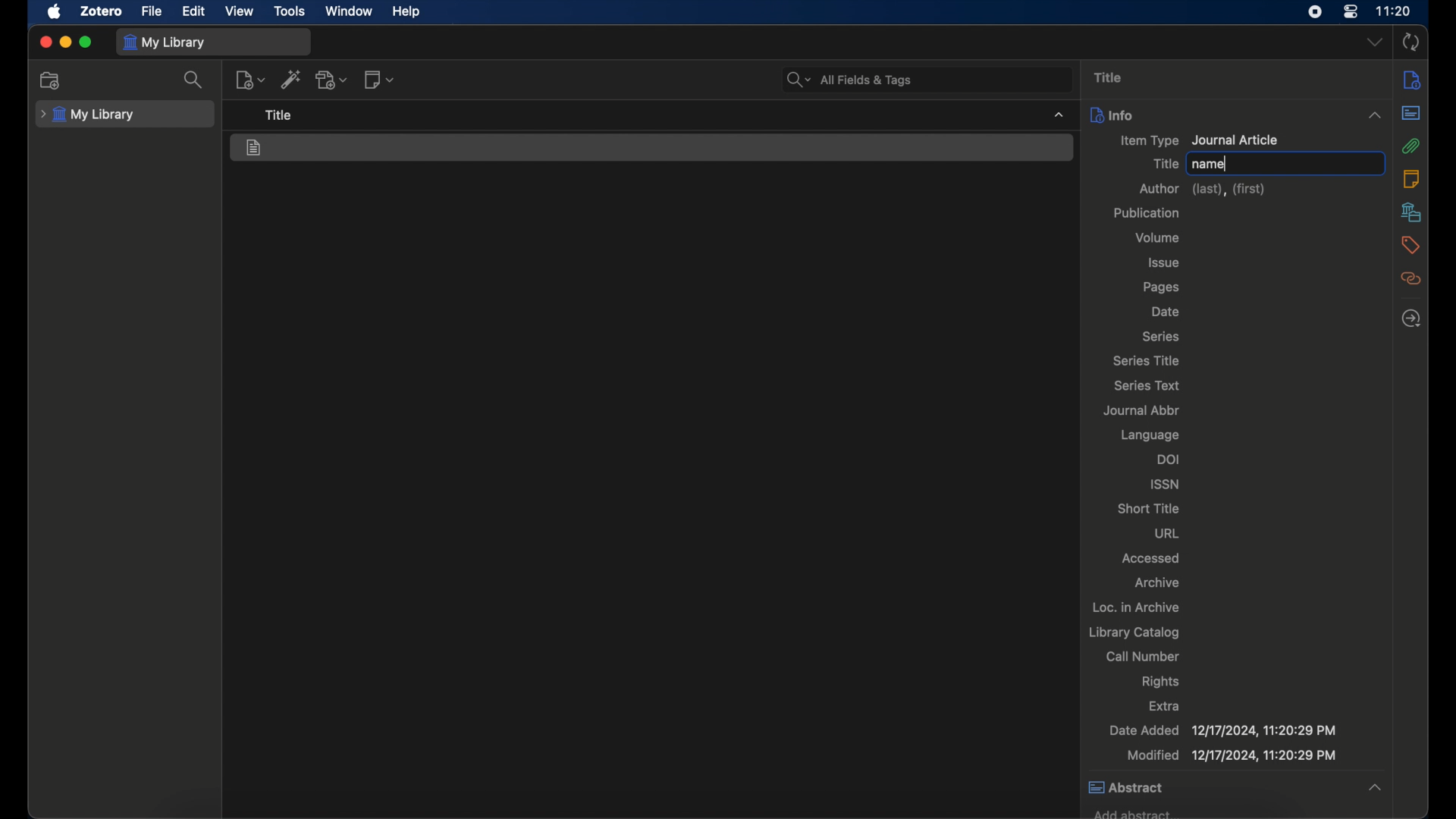  I want to click on language, so click(1150, 435).